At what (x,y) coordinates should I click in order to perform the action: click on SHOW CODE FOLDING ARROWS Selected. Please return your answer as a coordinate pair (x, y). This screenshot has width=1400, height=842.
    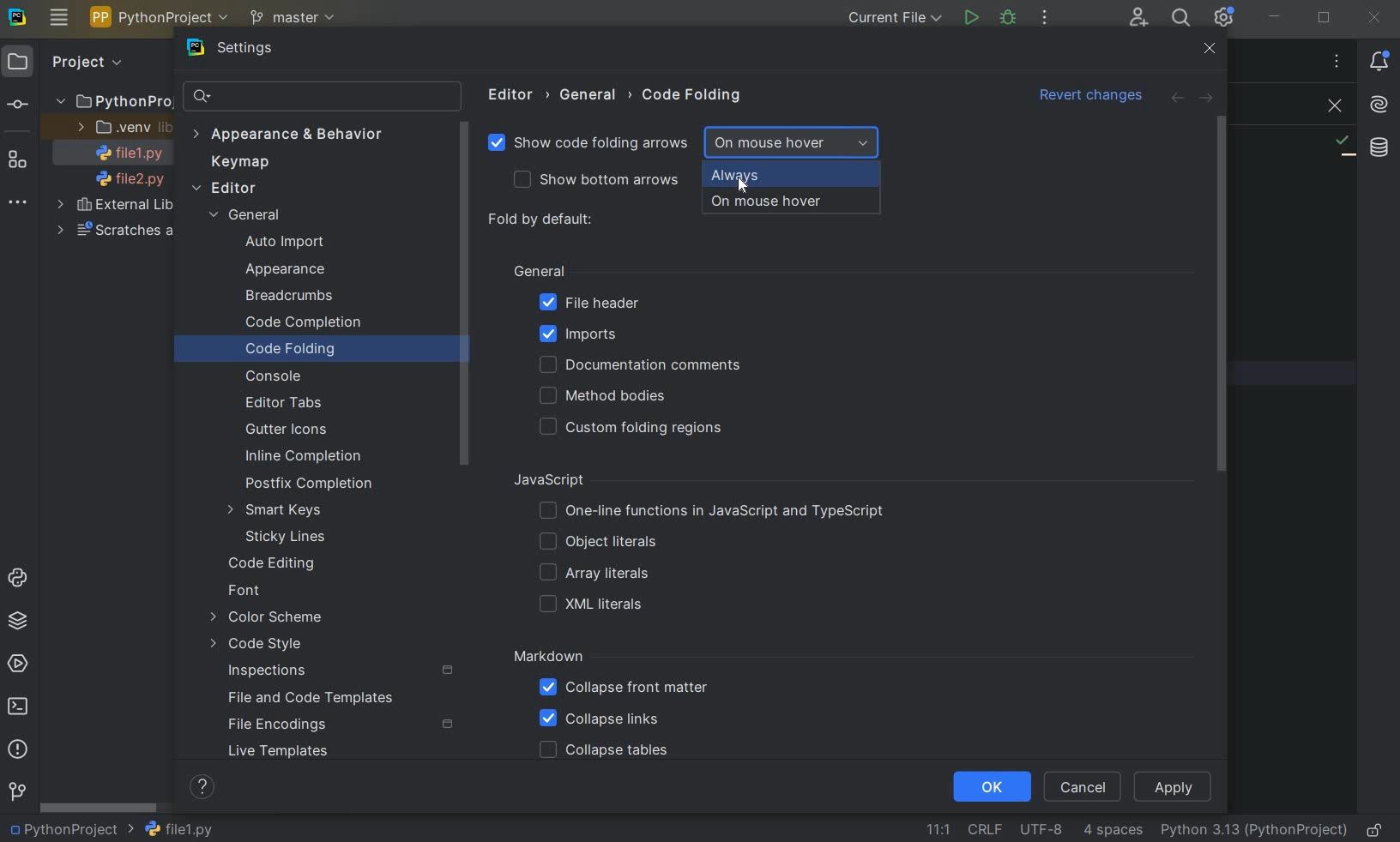
    Looking at the image, I should click on (590, 145).